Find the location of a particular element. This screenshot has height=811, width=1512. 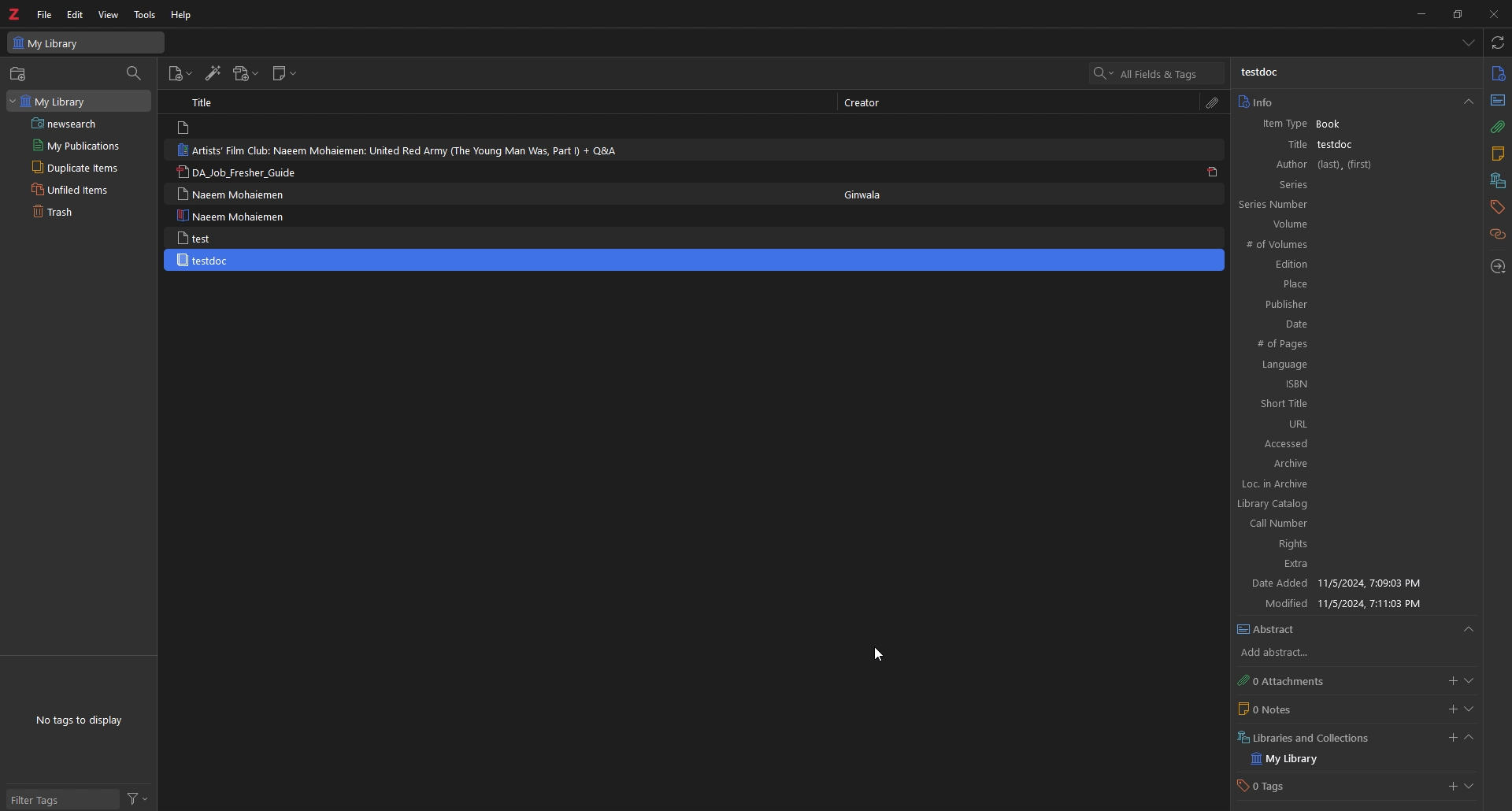

filter tags is located at coordinates (61, 801).